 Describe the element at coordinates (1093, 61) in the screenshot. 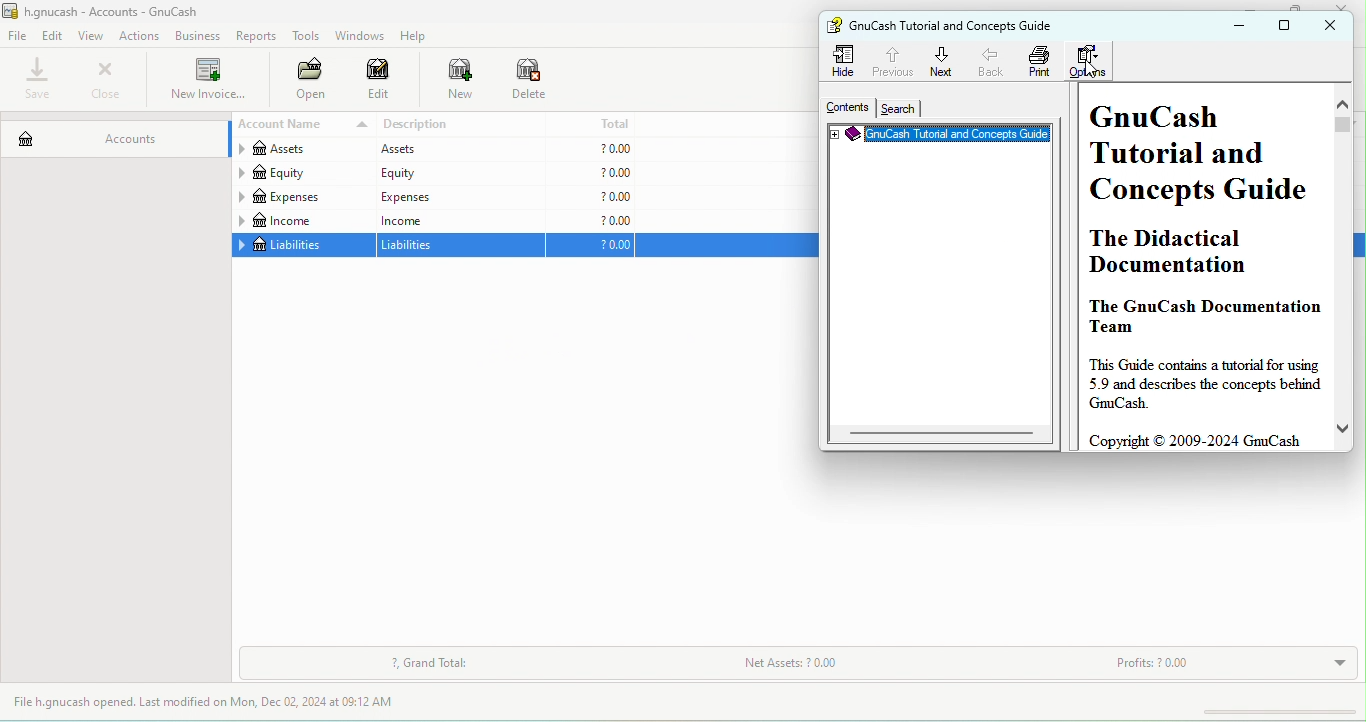

I see `options` at that location.